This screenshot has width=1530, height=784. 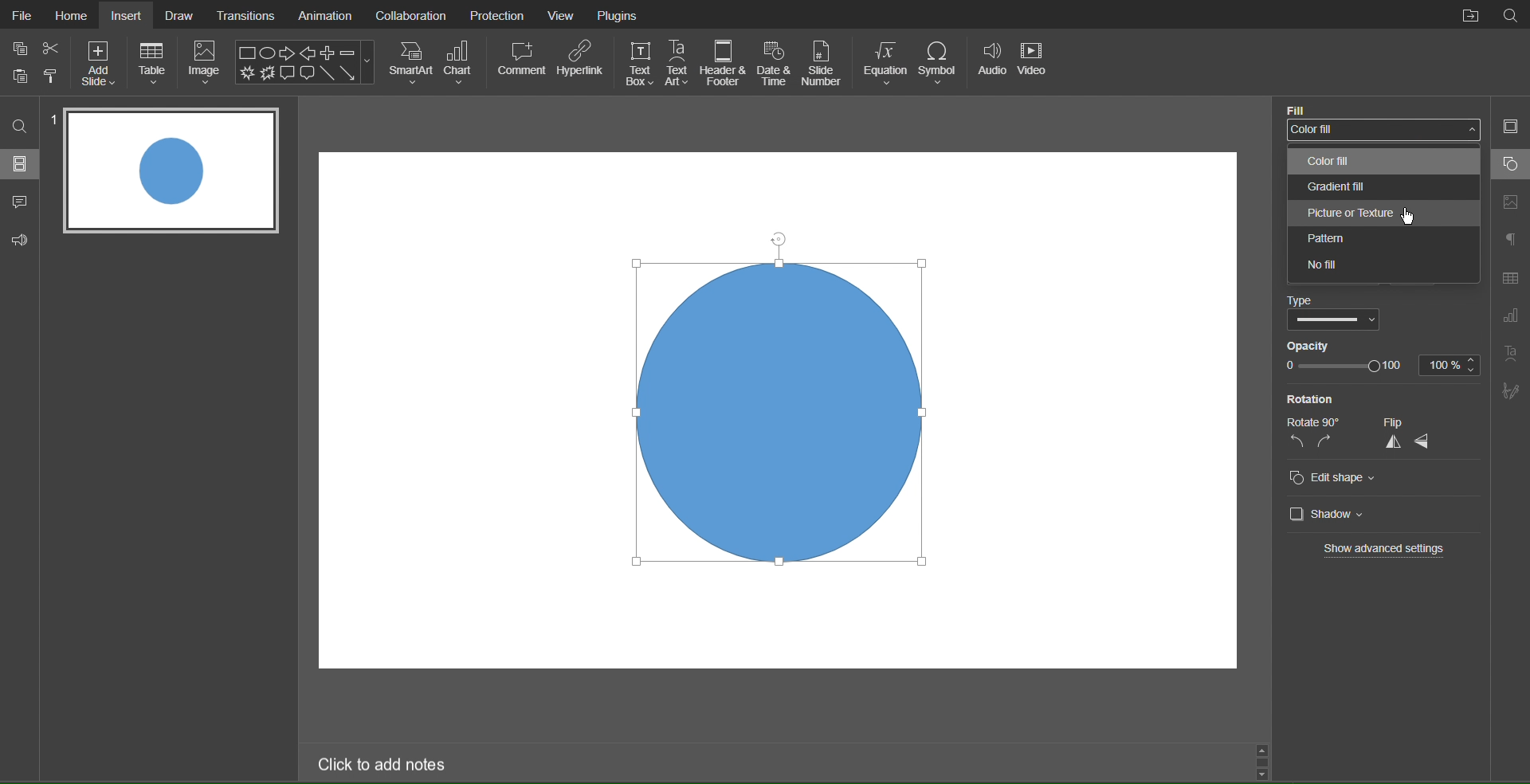 I want to click on Image Settings, so click(x=1508, y=202).